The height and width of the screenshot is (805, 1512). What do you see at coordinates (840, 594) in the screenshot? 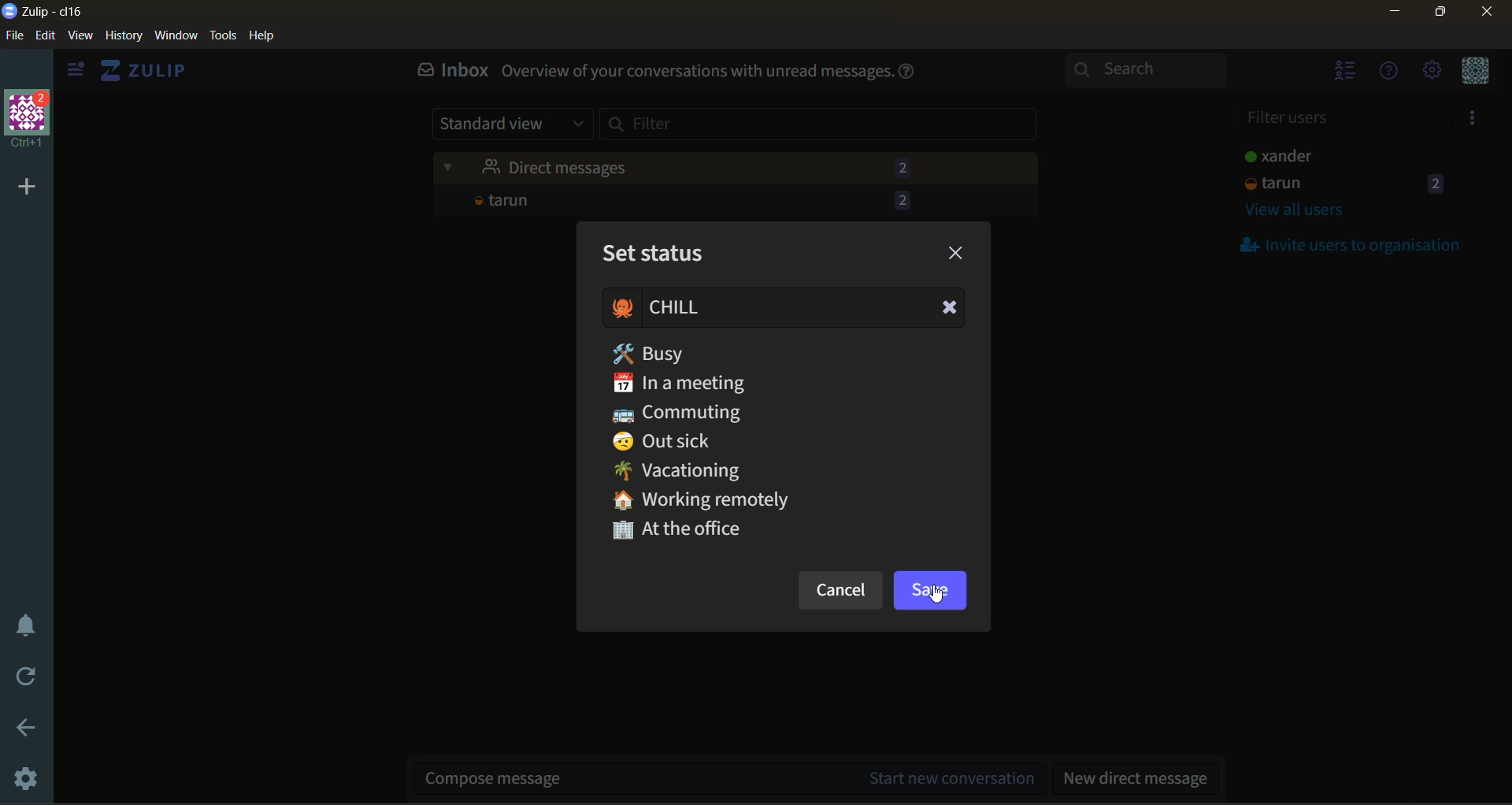
I see `cancel` at bounding box center [840, 594].